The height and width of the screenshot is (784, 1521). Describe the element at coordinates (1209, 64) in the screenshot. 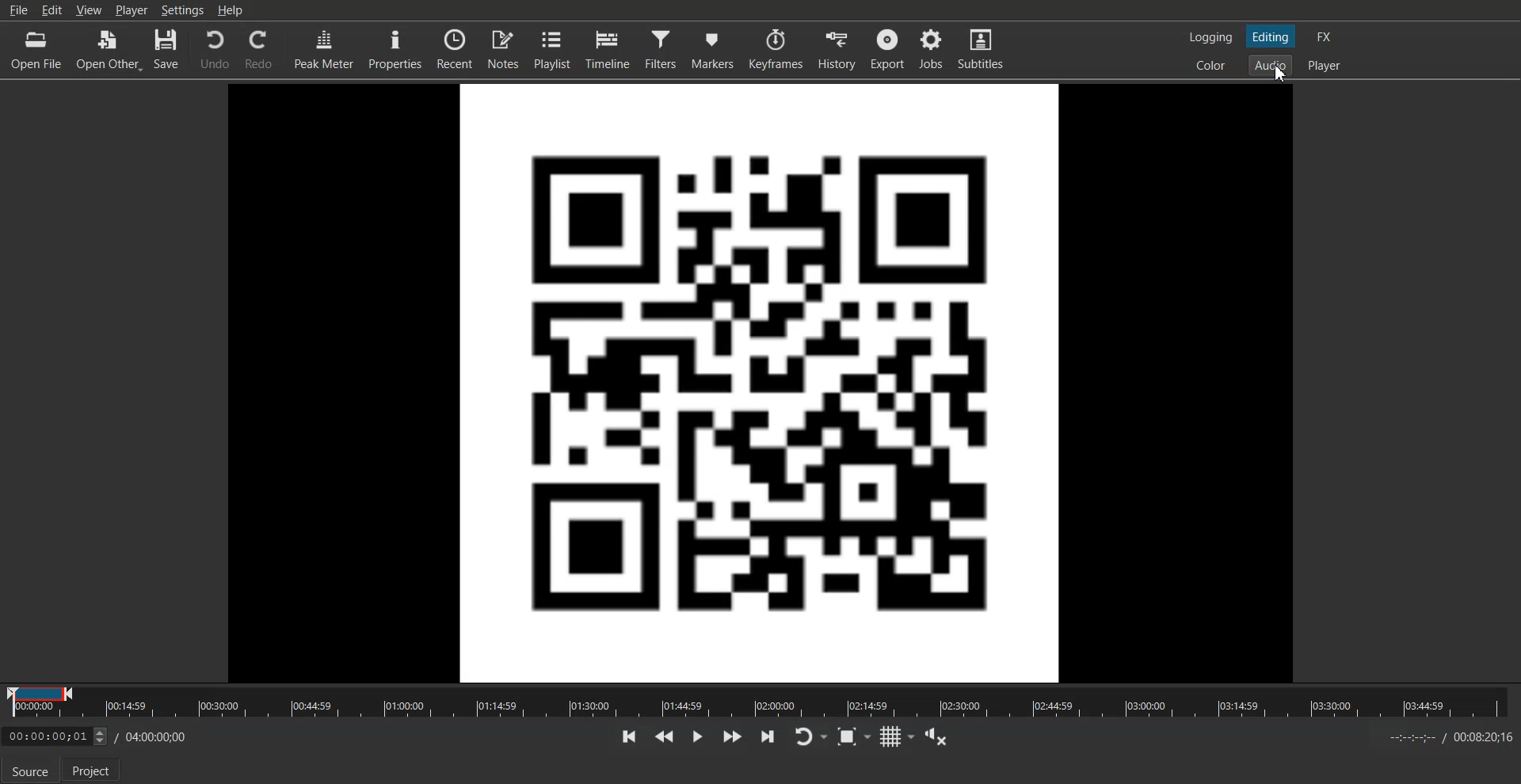

I see `Switch to the color layout` at that location.